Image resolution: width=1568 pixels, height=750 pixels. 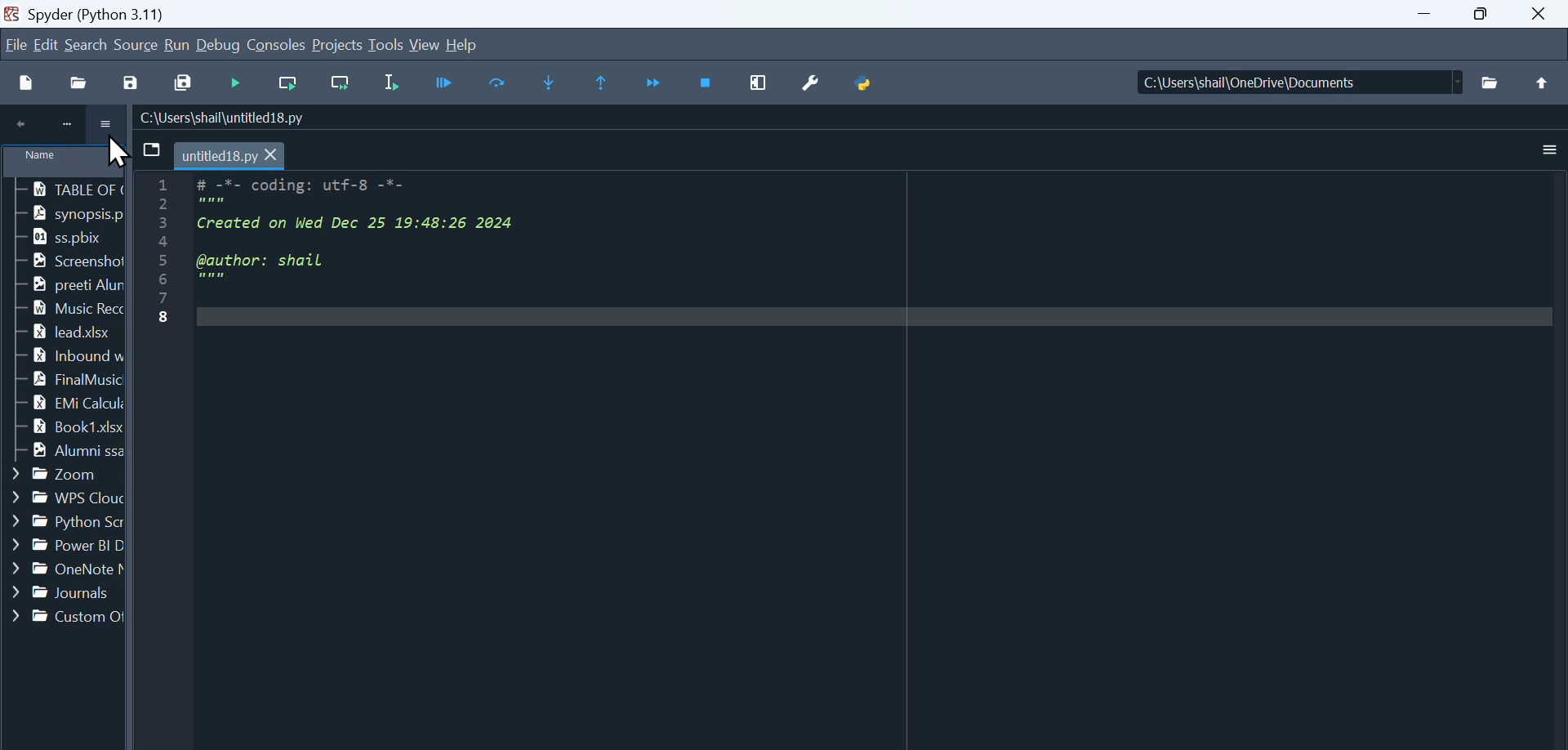 I want to click on maximise, so click(x=1488, y=15).